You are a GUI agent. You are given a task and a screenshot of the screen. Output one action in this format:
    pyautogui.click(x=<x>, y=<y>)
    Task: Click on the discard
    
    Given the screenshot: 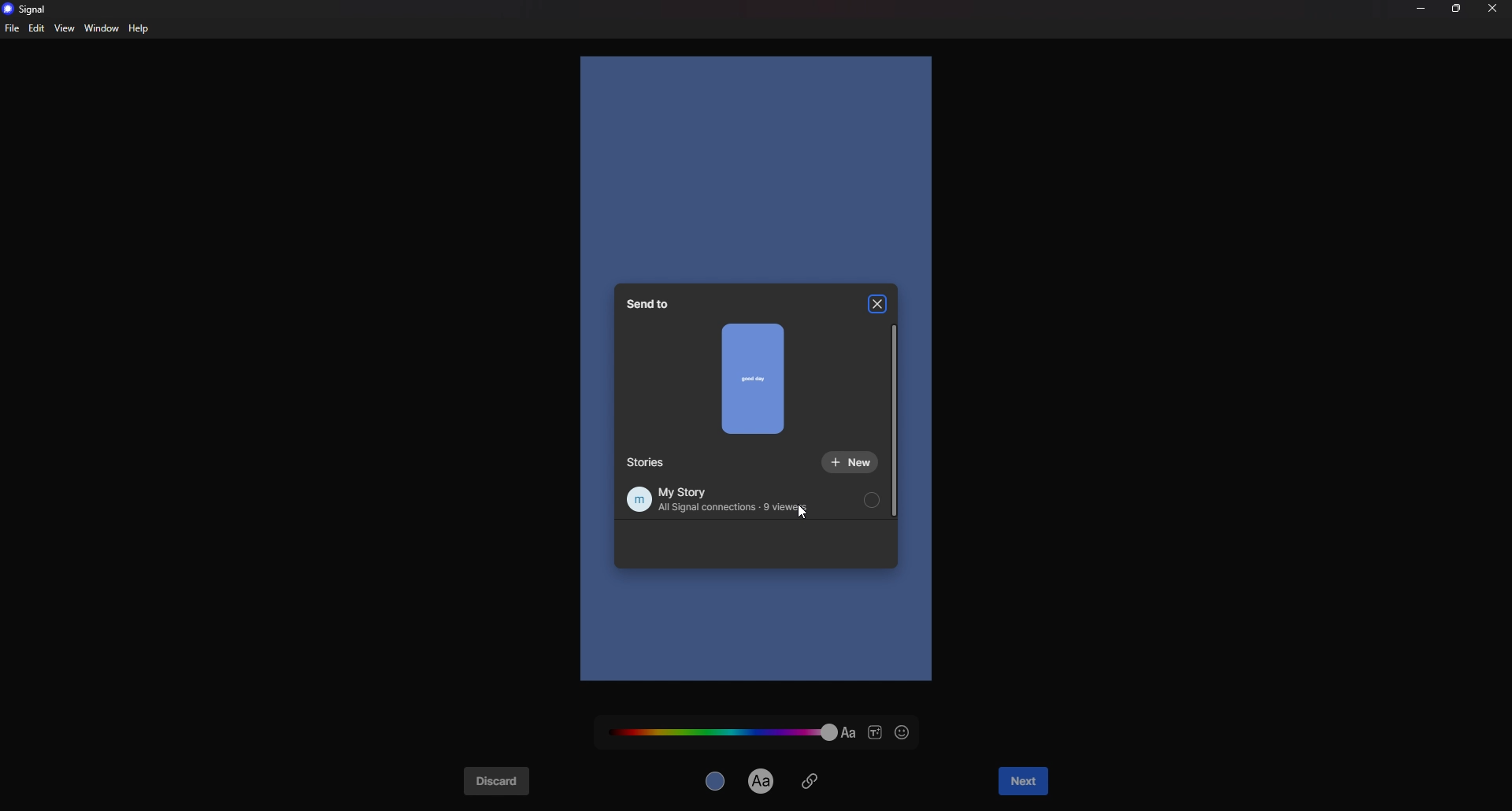 What is the action you would take?
    pyautogui.click(x=495, y=783)
    